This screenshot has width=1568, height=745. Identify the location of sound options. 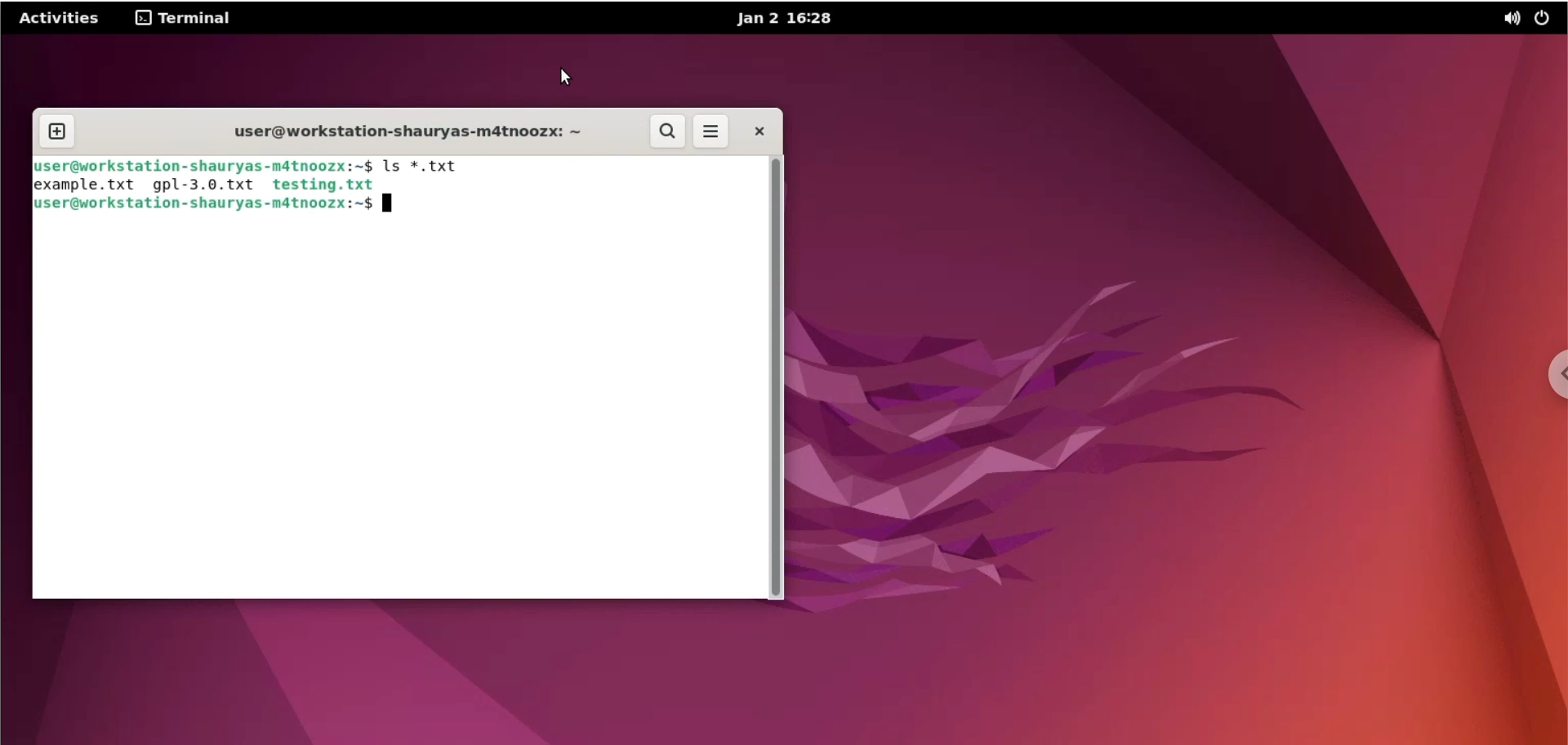
(1507, 19).